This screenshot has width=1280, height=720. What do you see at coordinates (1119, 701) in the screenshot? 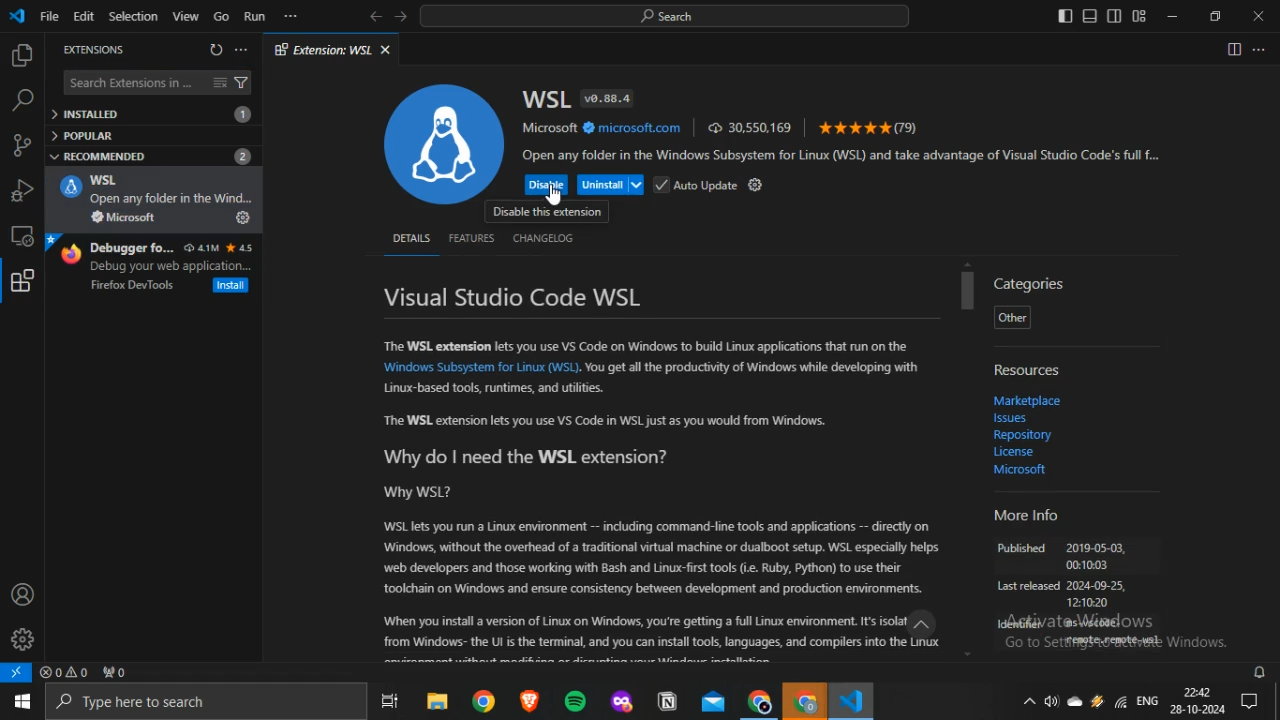
I see `Wifi` at bounding box center [1119, 701].